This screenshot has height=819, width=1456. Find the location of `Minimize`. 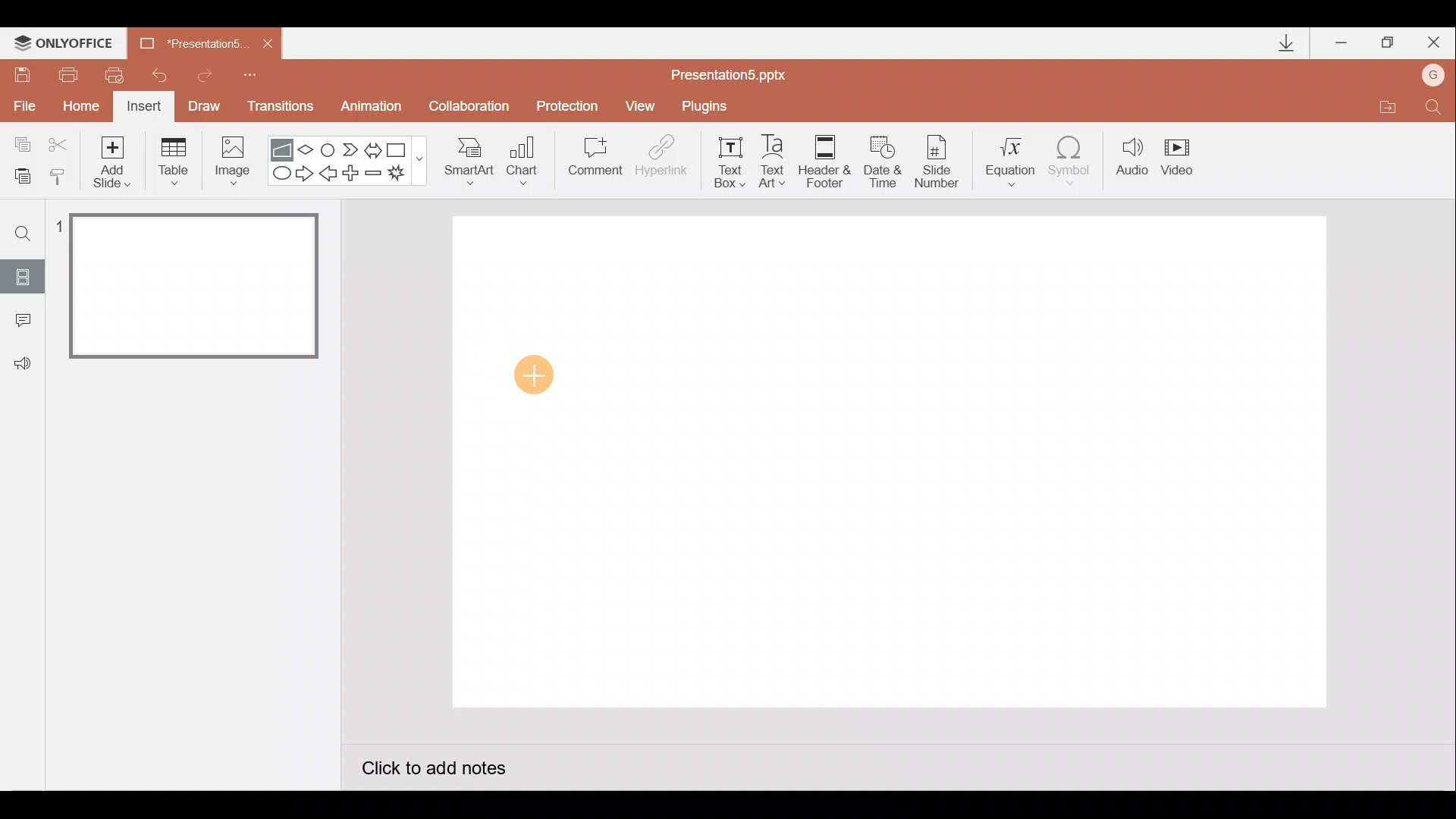

Minimize is located at coordinates (1343, 44).